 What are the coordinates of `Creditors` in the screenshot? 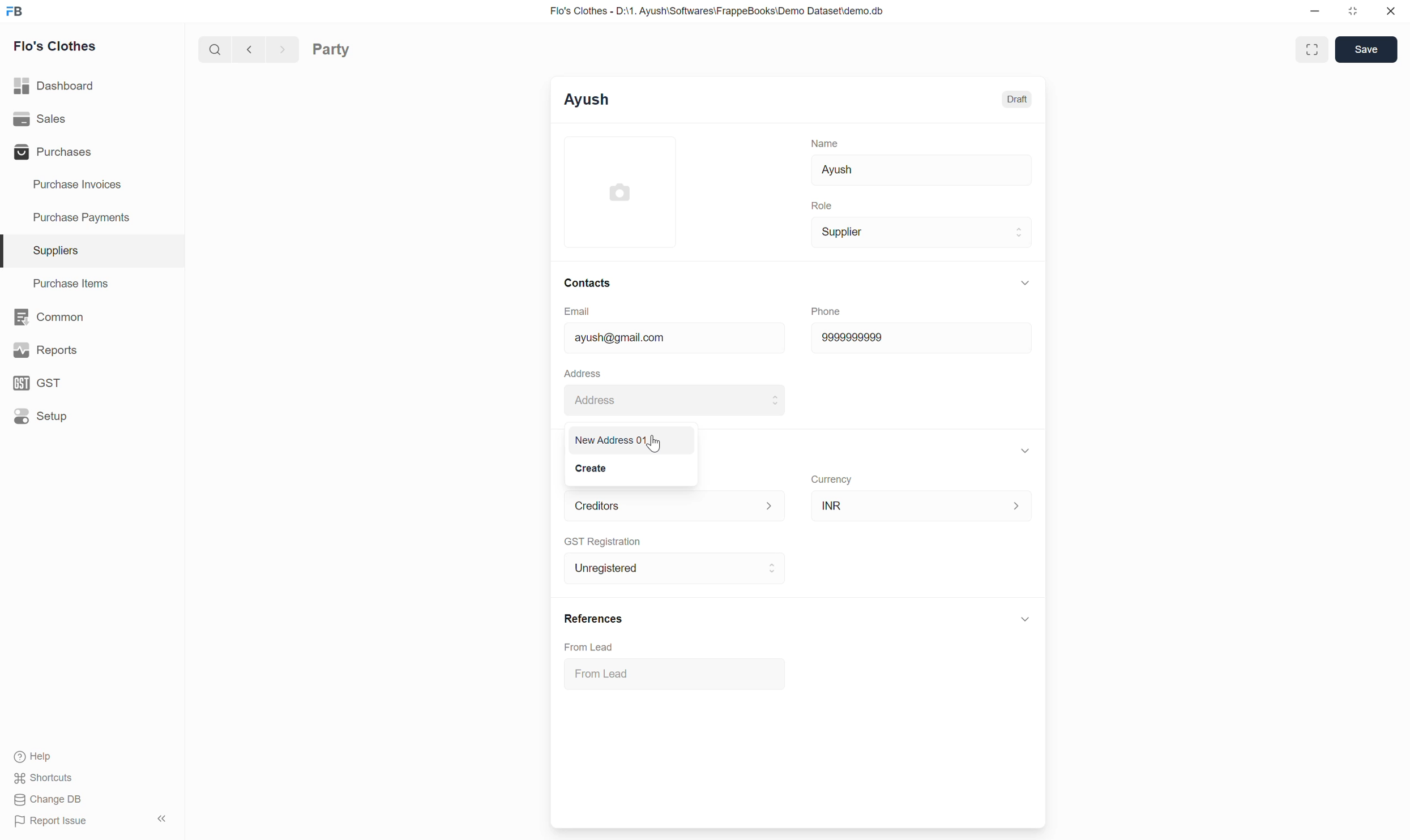 It's located at (676, 506).